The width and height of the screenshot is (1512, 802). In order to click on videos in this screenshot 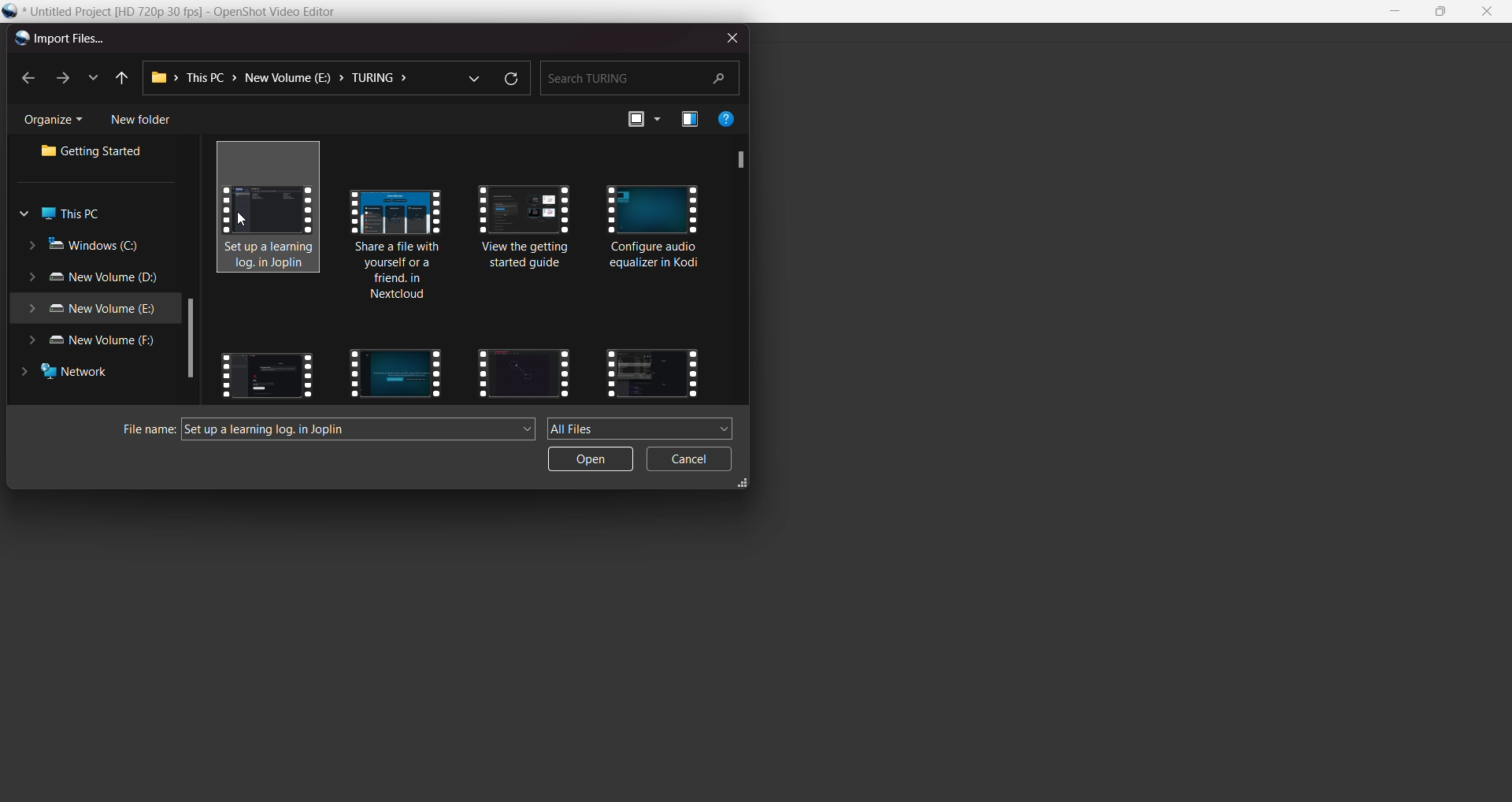, I will do `click(529, 239)`.